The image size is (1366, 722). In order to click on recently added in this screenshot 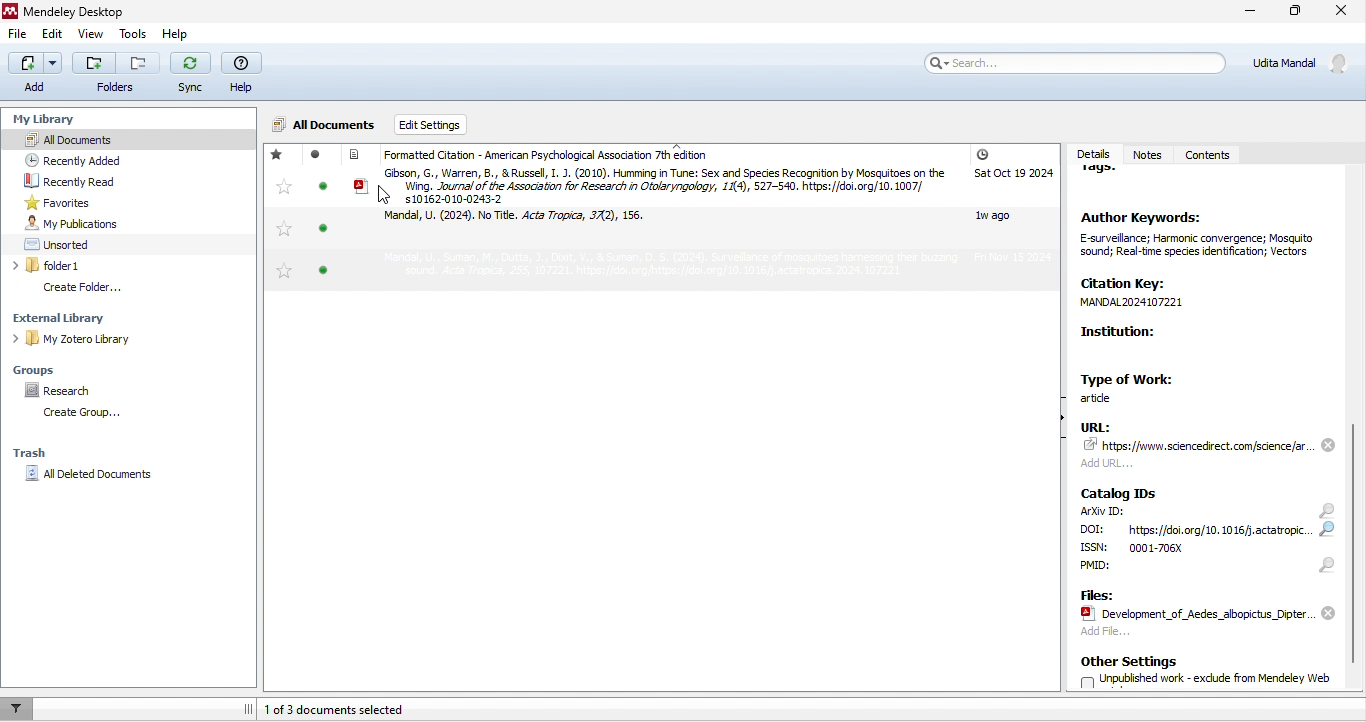, I will do `click(94, 160)`.